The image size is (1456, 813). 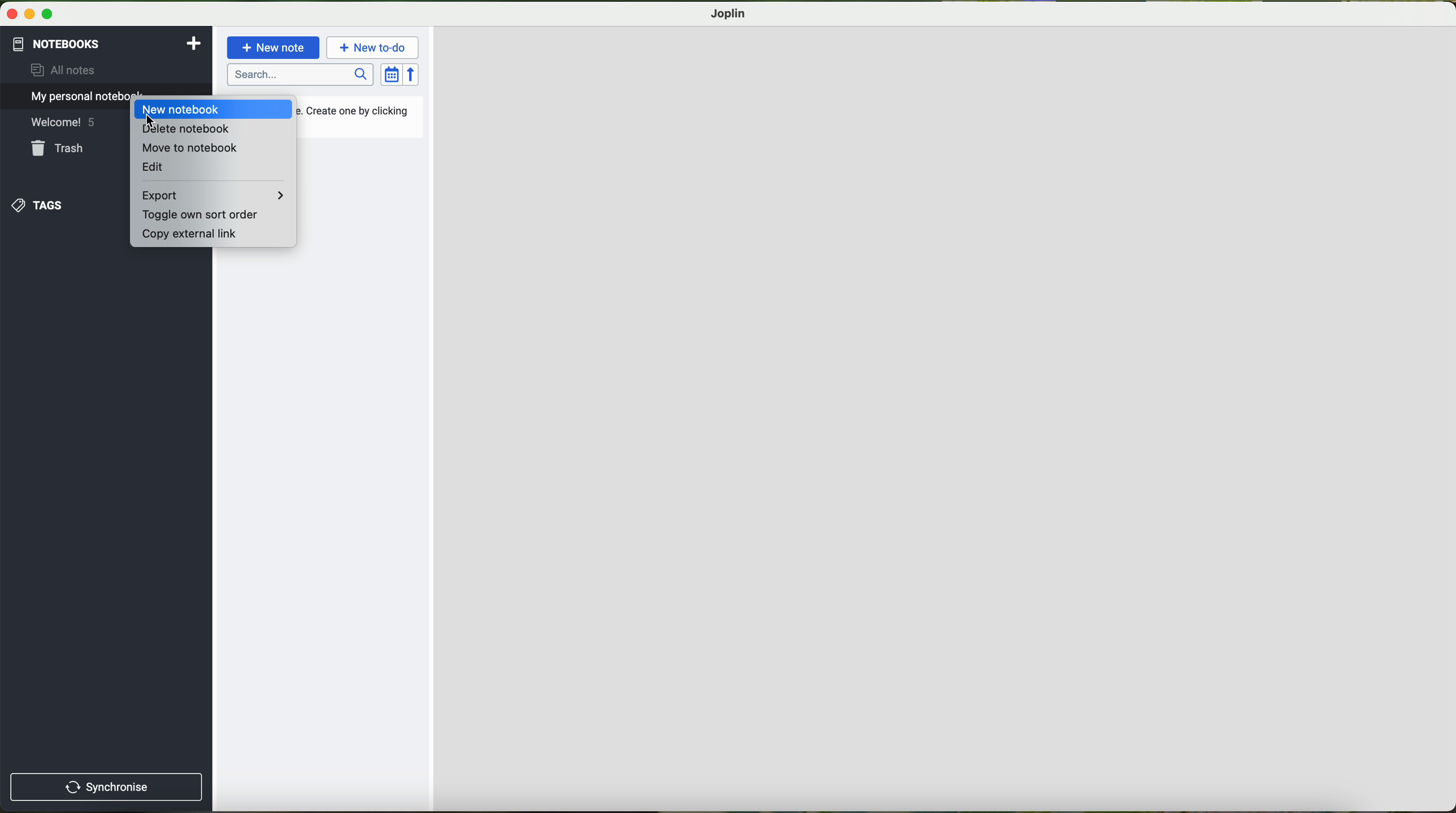 I want to click on joplin, so click(x=729, y=14).